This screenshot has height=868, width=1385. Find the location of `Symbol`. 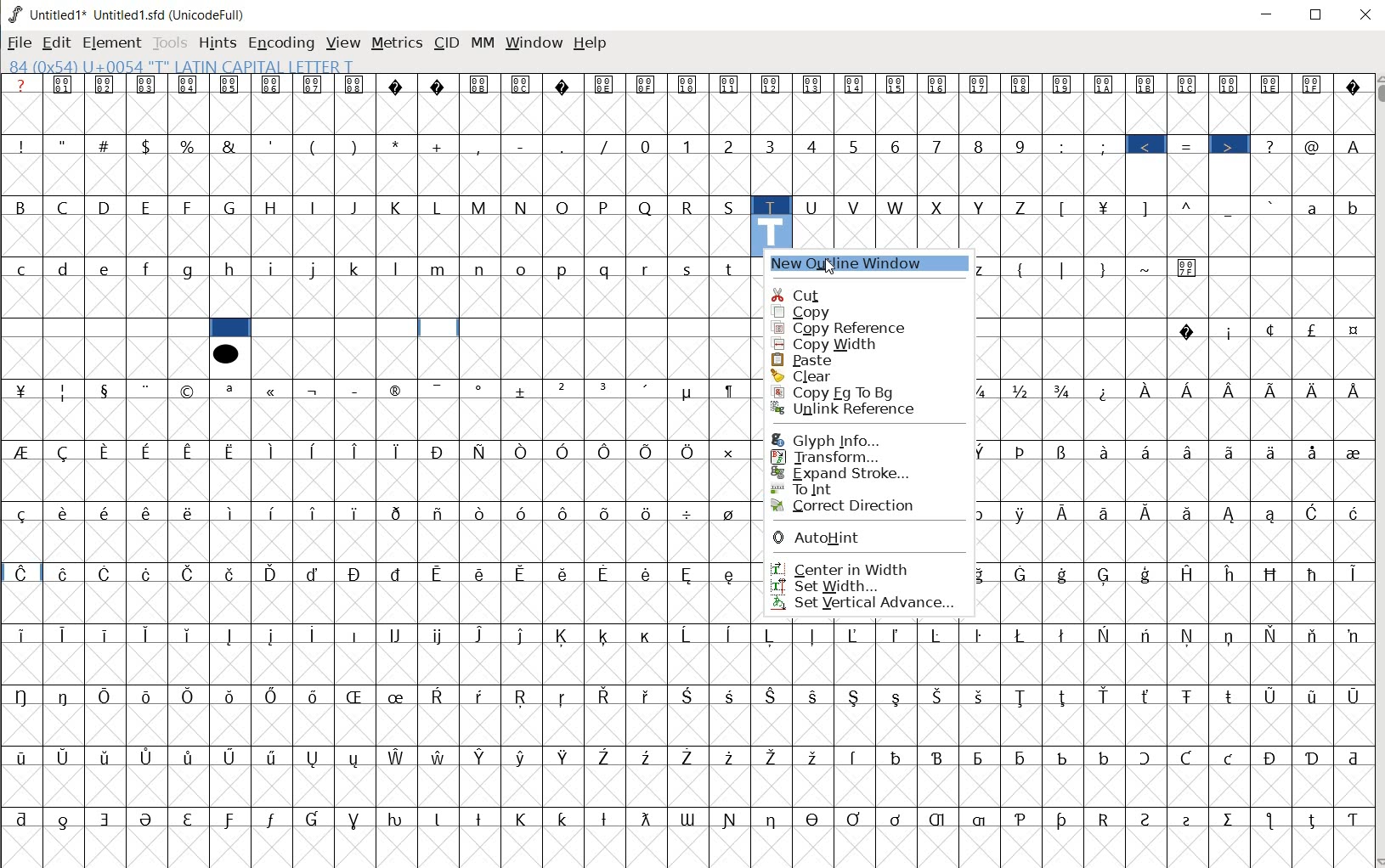

Symbol is located at coordinates (731, 86).